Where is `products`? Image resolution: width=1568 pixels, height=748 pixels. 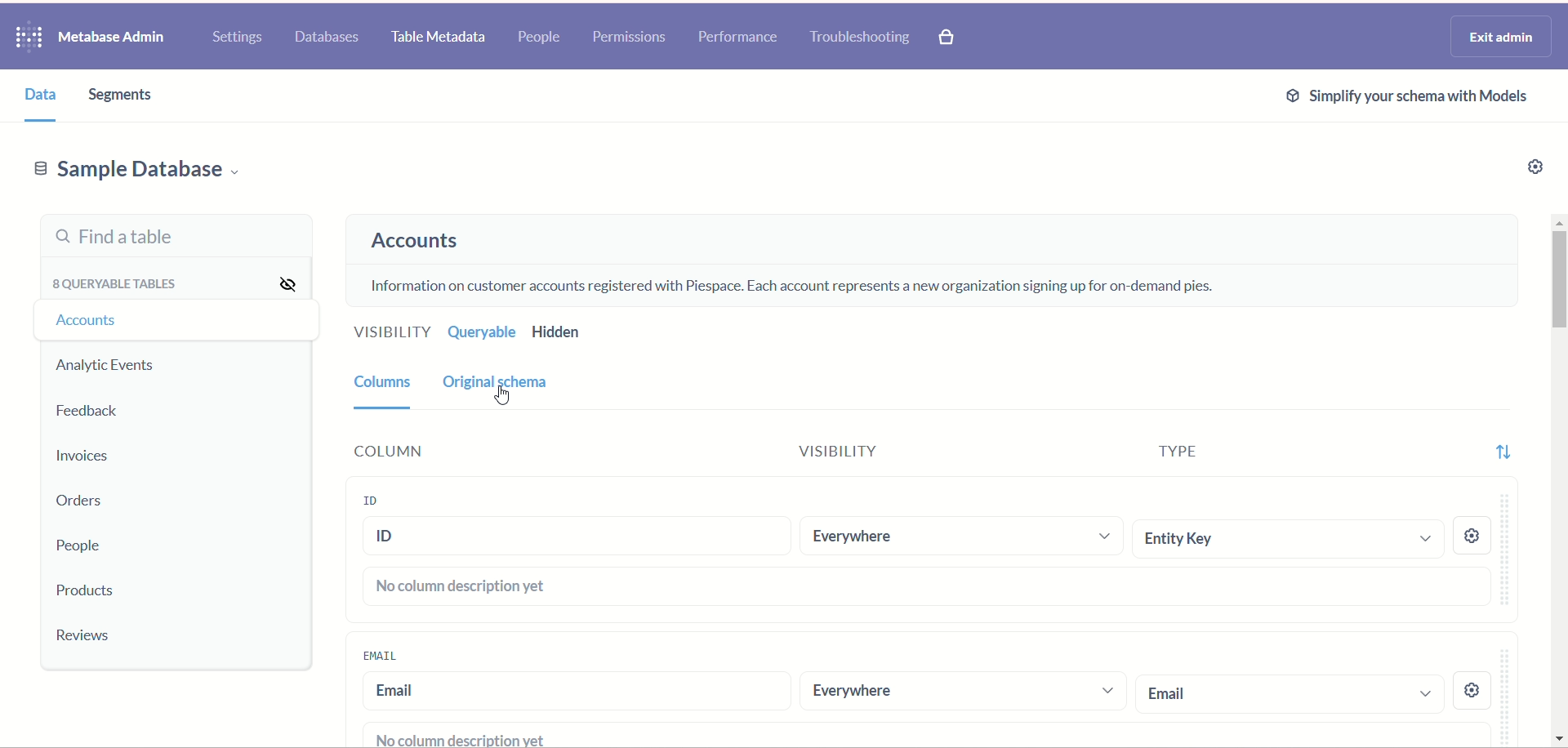 products is located at coordinates (86, 592).